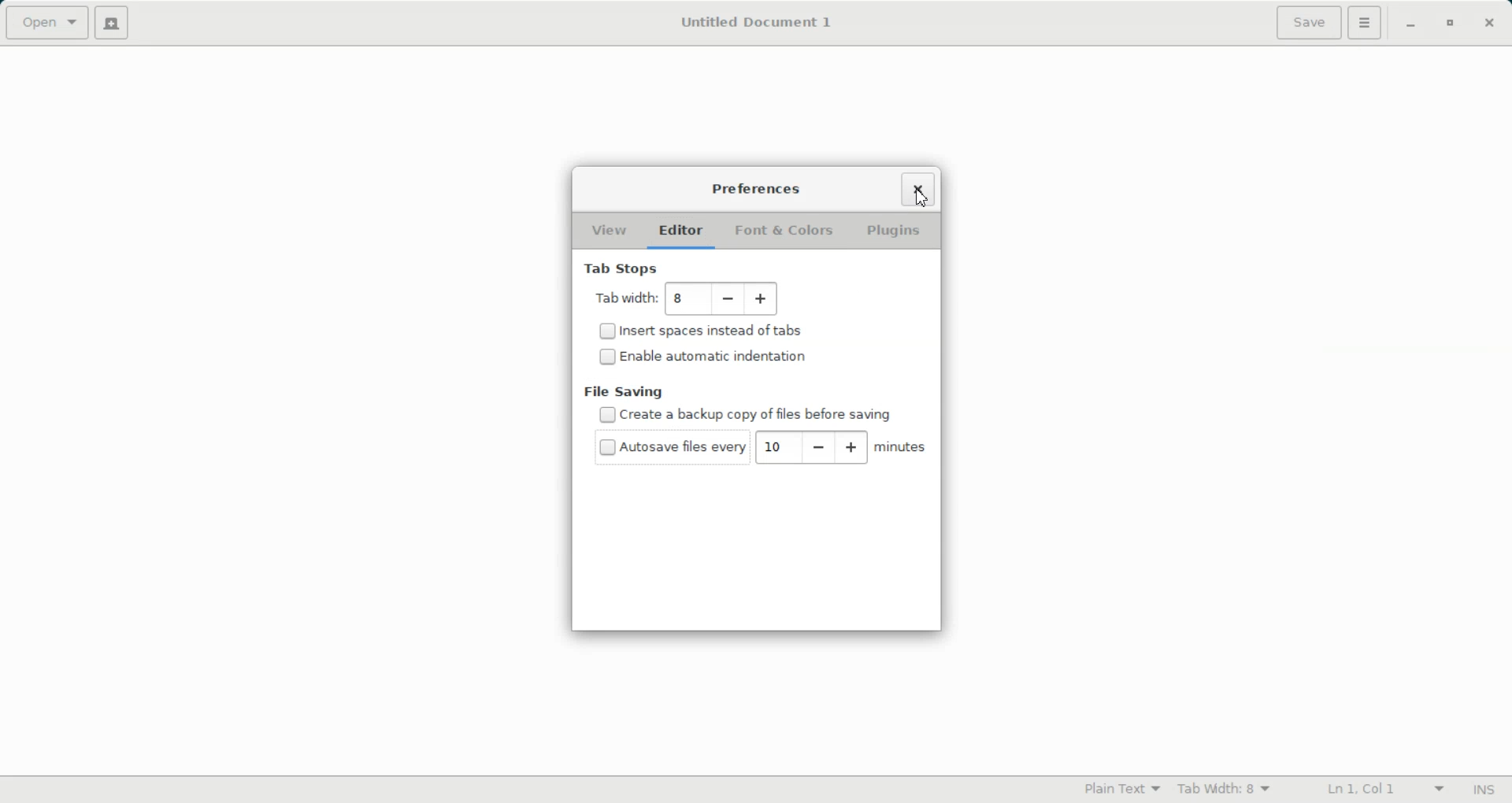 This screenshot has height=803, width=1512. I want to click on Font & Colors, so click(784, 233).